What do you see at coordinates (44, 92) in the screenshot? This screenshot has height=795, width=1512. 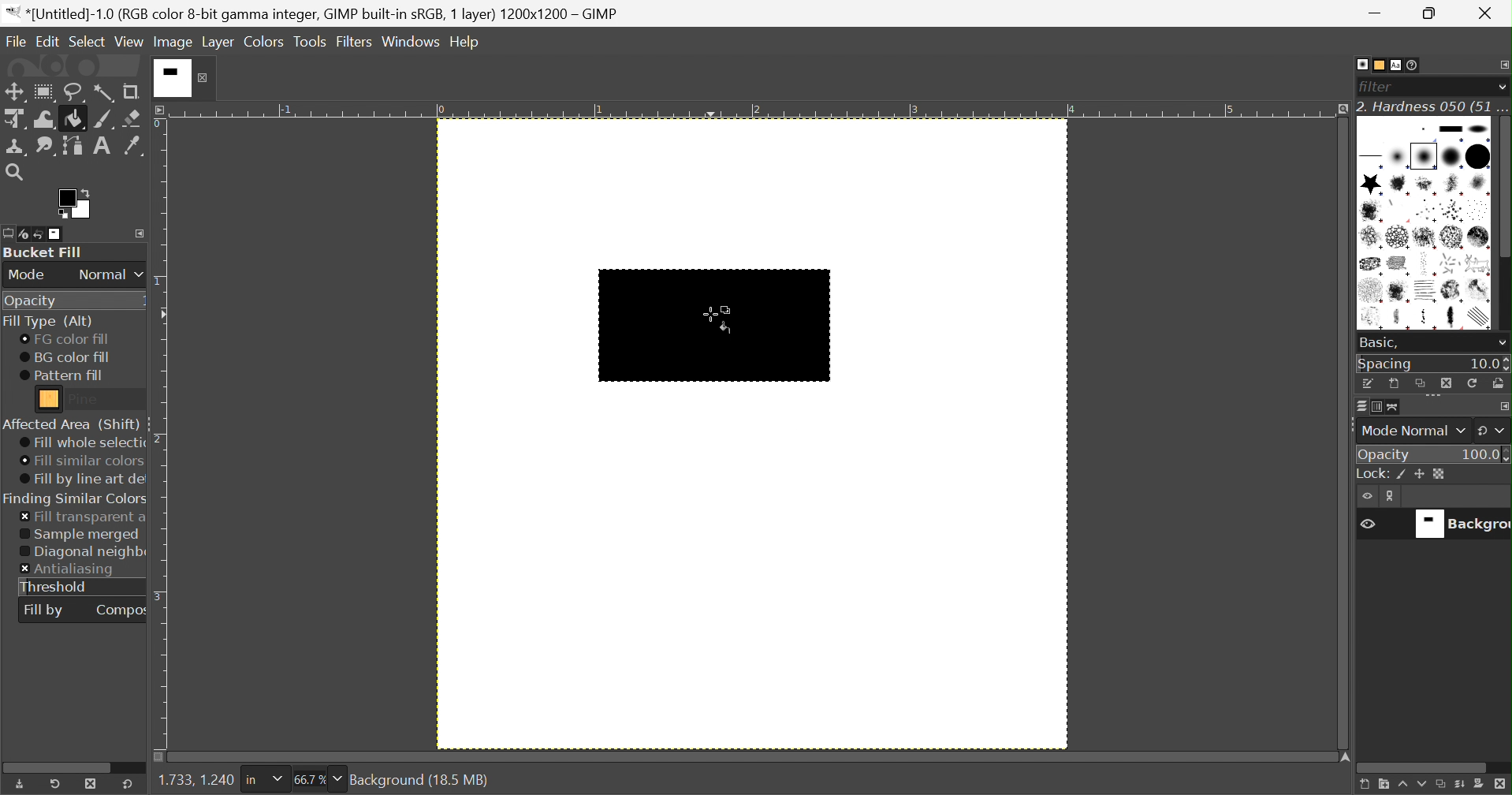 I see `Ellipse Select Tool` at bounding box center [44, 92].